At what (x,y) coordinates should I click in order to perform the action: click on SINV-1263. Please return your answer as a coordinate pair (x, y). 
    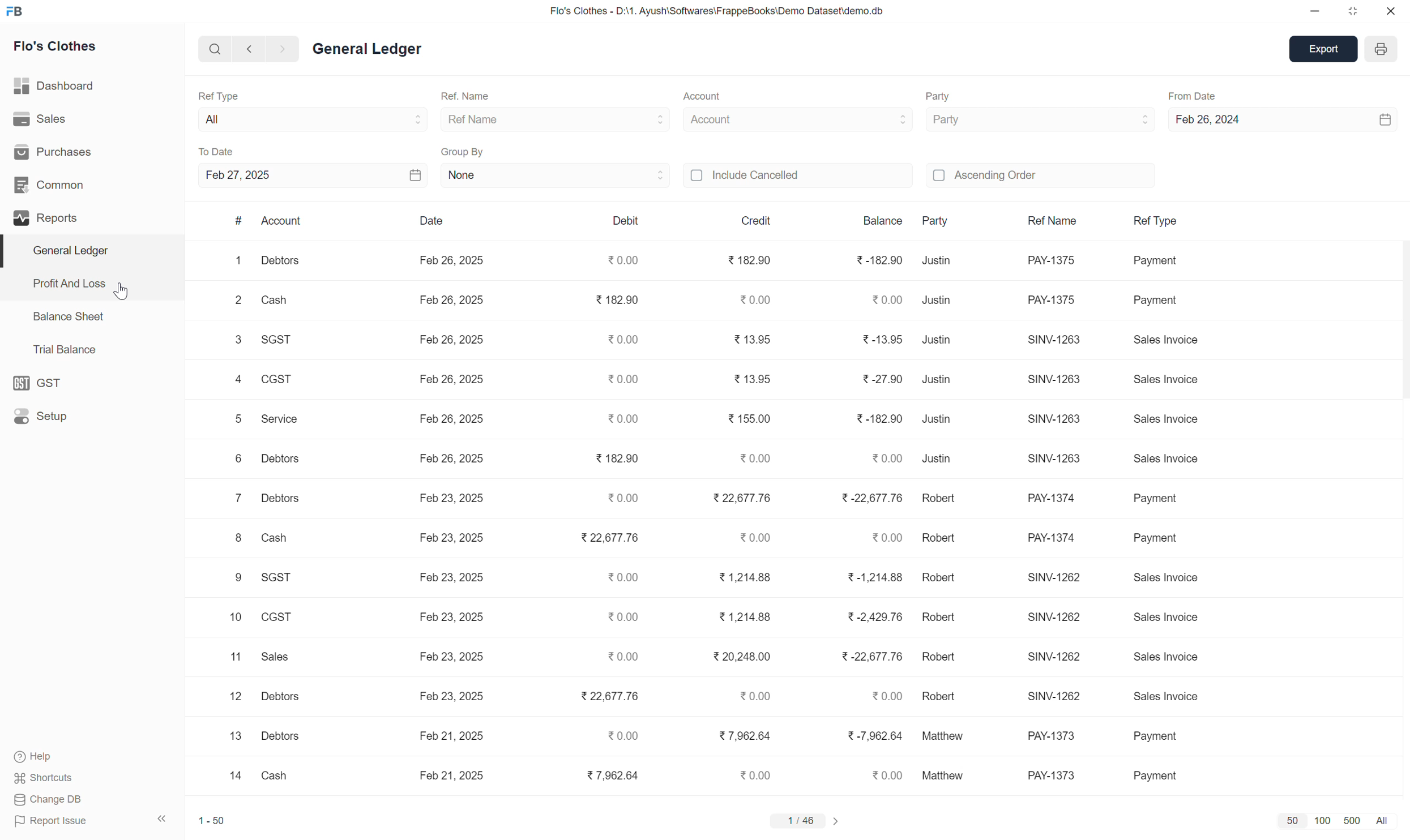
    Looking at the image, I should click on (1053, 421).